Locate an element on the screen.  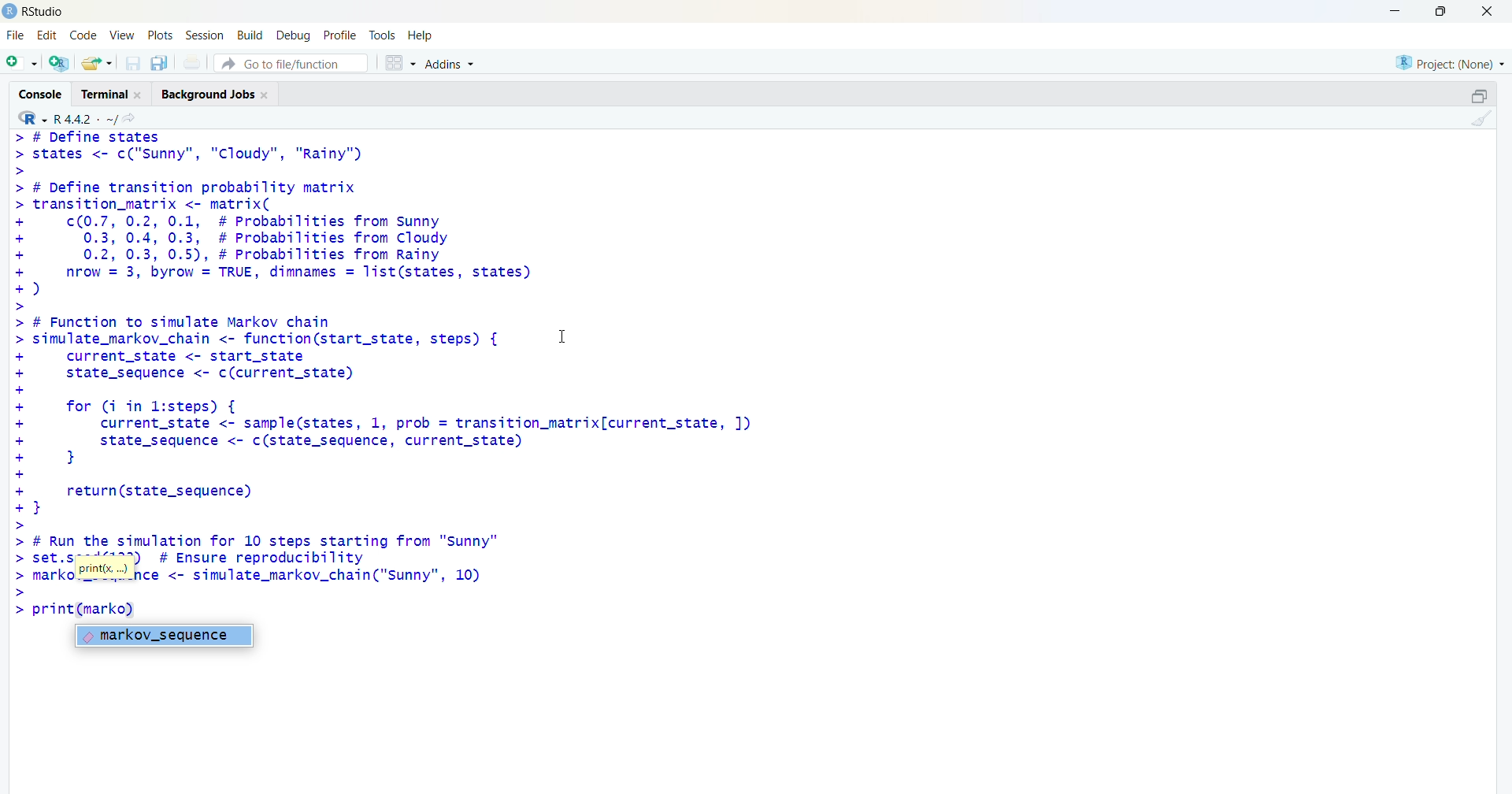
close is located at coordinates (1487, 12).